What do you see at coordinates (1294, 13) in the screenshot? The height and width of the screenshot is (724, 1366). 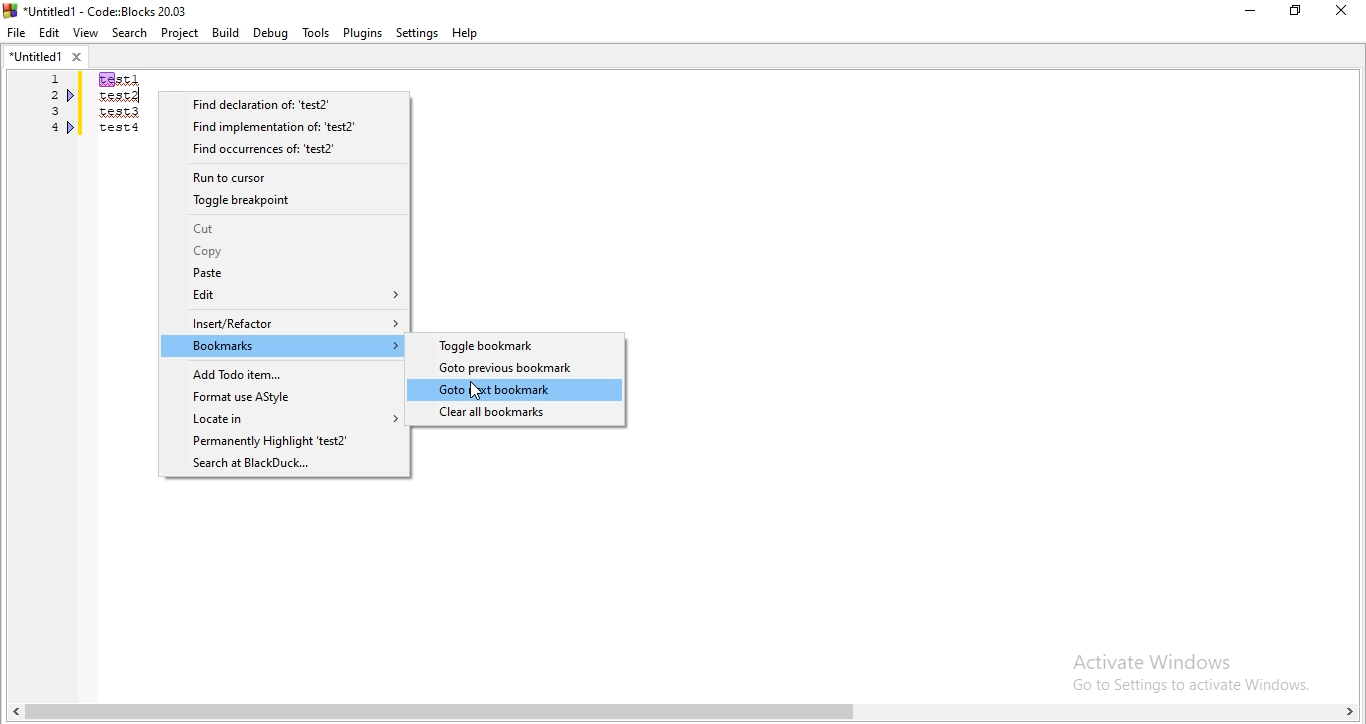 I see `Restore` at bounding box center [1294, 13].